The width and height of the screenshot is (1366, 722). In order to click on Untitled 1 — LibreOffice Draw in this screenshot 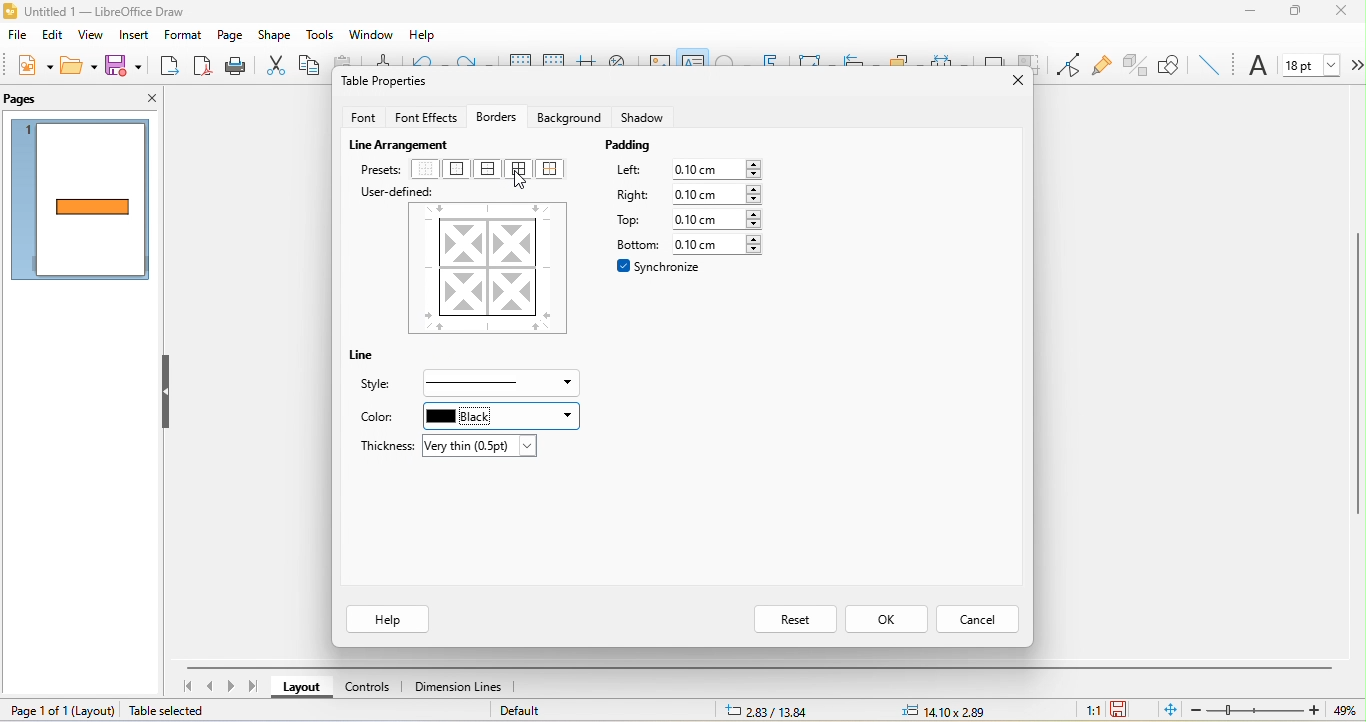, I will do `click(94, 10)`.